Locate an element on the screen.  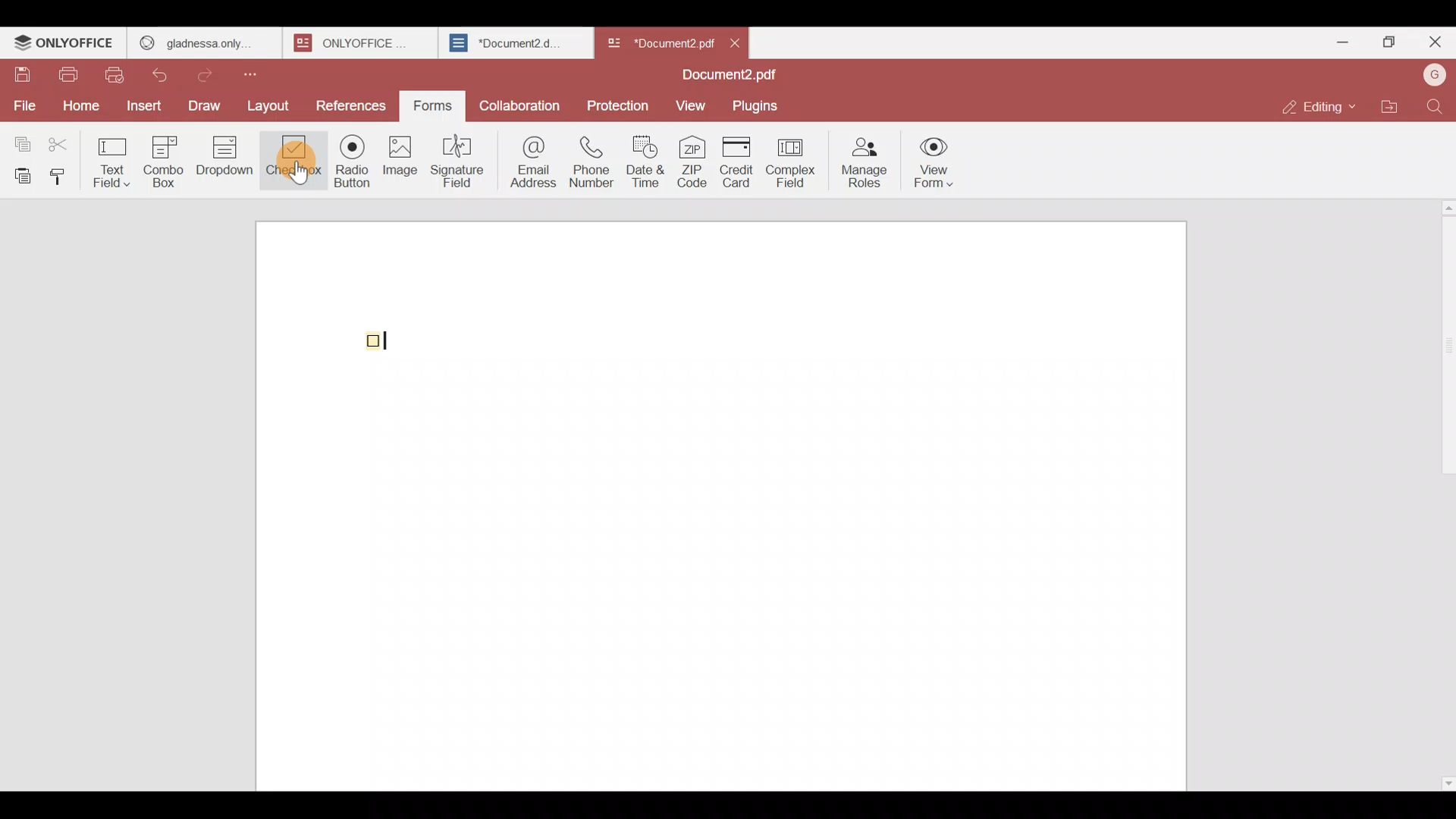
Minimize is located at coordinates (1336, 39).